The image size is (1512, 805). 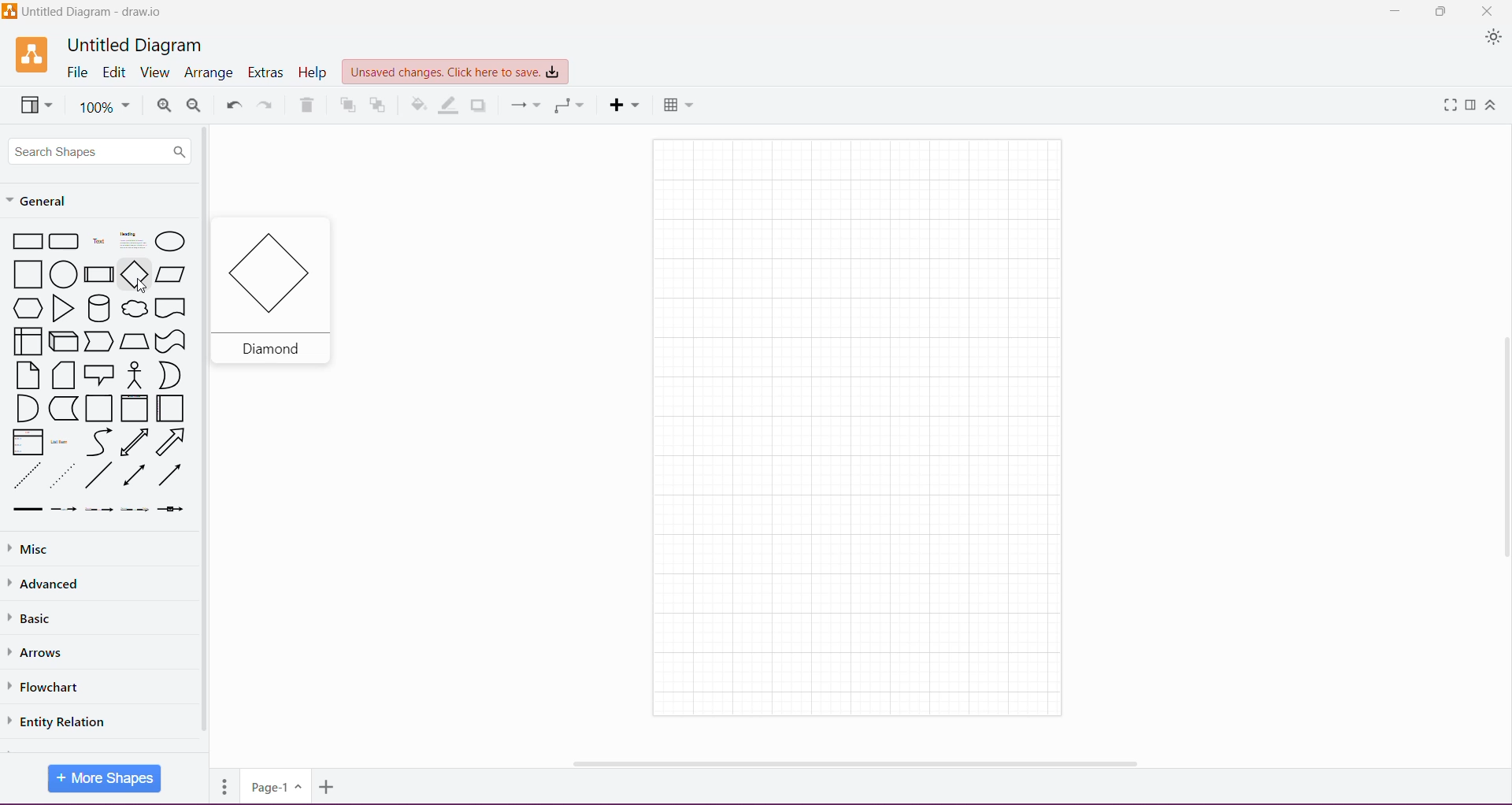 What do you see at coordinates (157, 72) in the screenshot?
I see `View` at bounding box center [157, 72].